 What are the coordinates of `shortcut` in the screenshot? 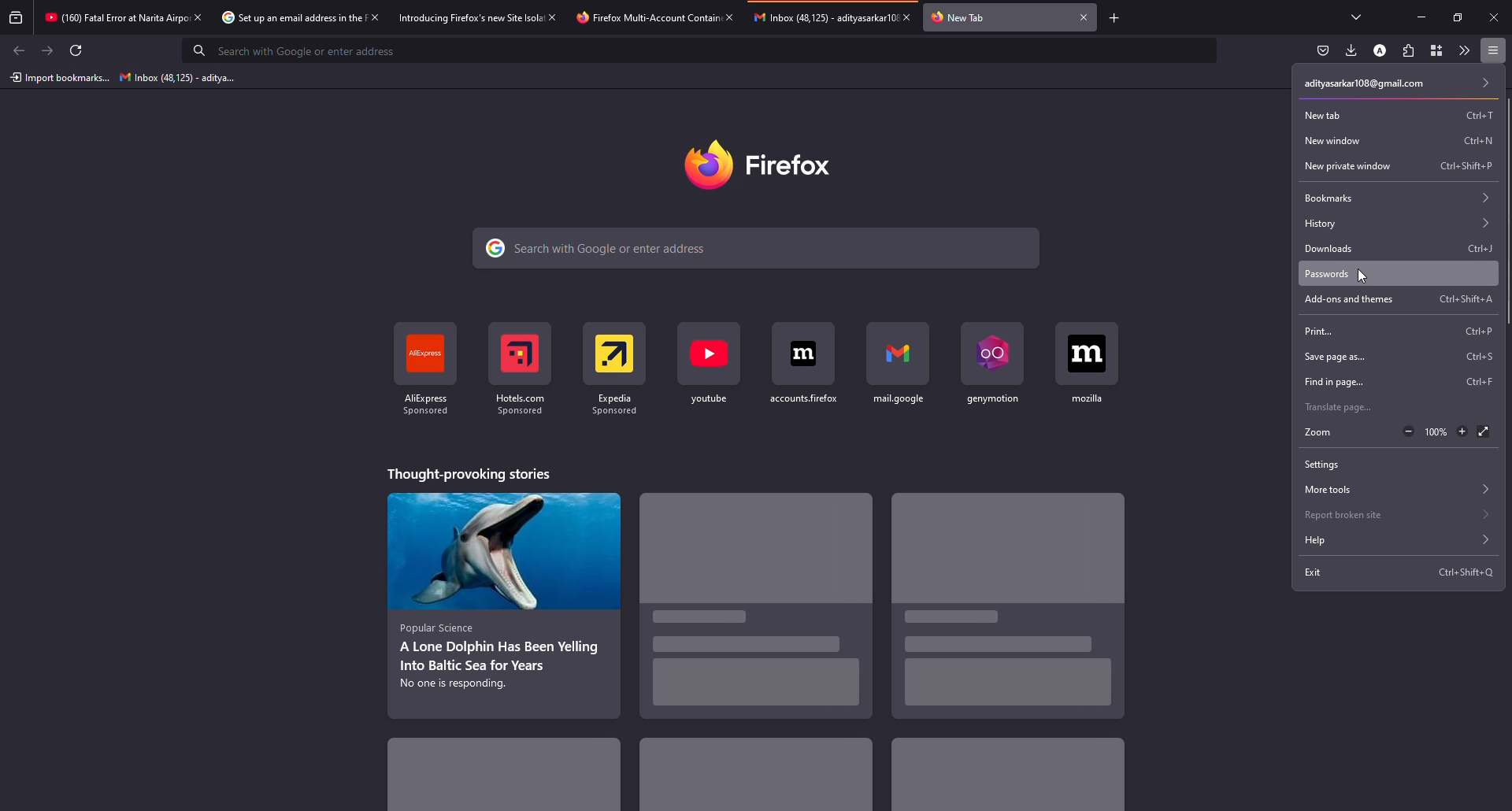 It's located at (707, 365).